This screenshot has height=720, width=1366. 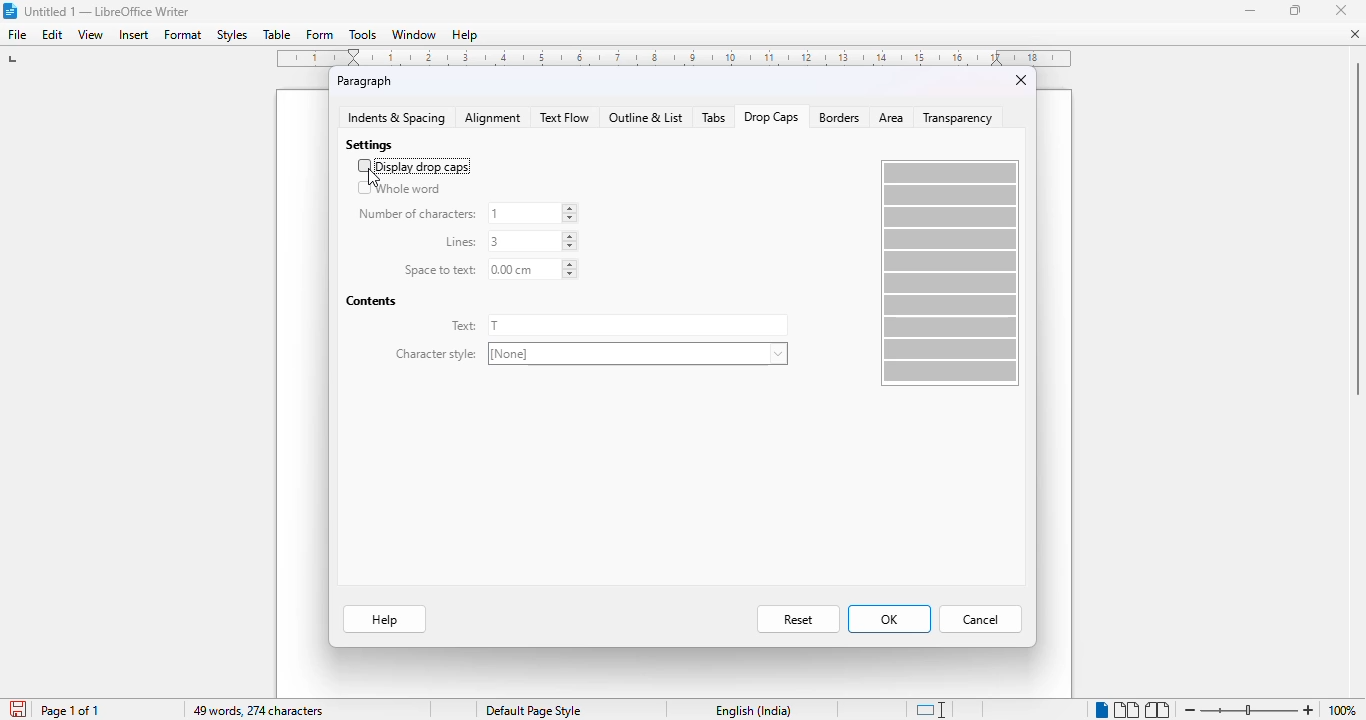 I want to click on insert, so click(x=134, y=35).